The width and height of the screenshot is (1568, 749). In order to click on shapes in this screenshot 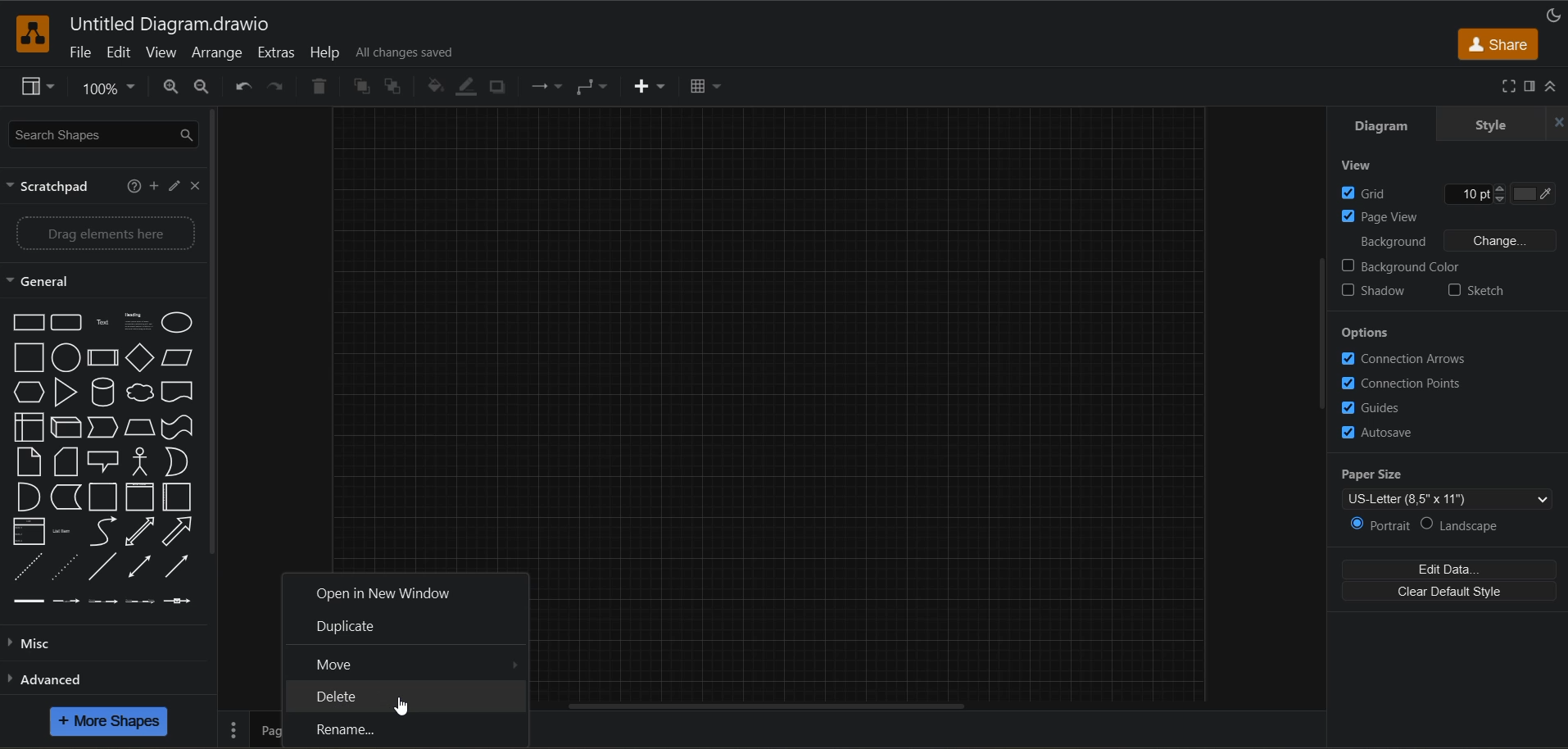, I will do `click(104, 458)`.